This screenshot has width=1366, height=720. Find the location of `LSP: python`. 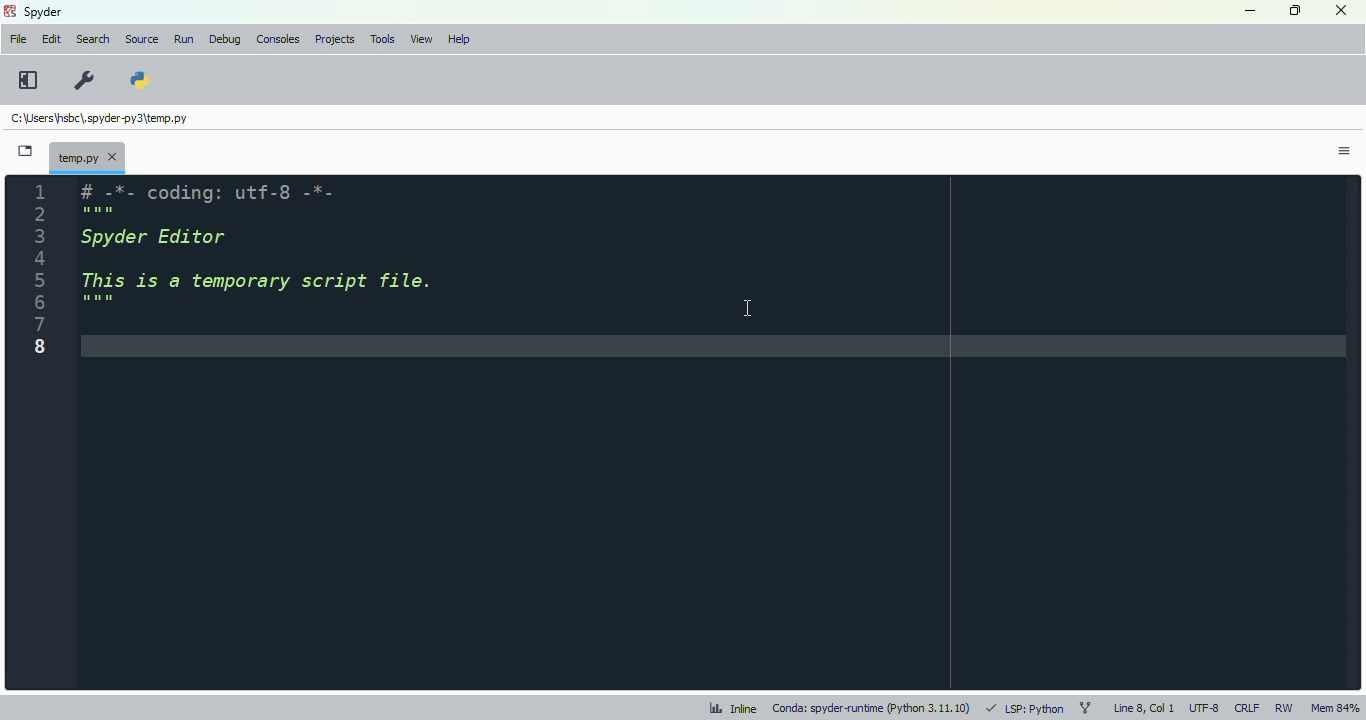

LSP: python is located at coordinates (1026, 708).